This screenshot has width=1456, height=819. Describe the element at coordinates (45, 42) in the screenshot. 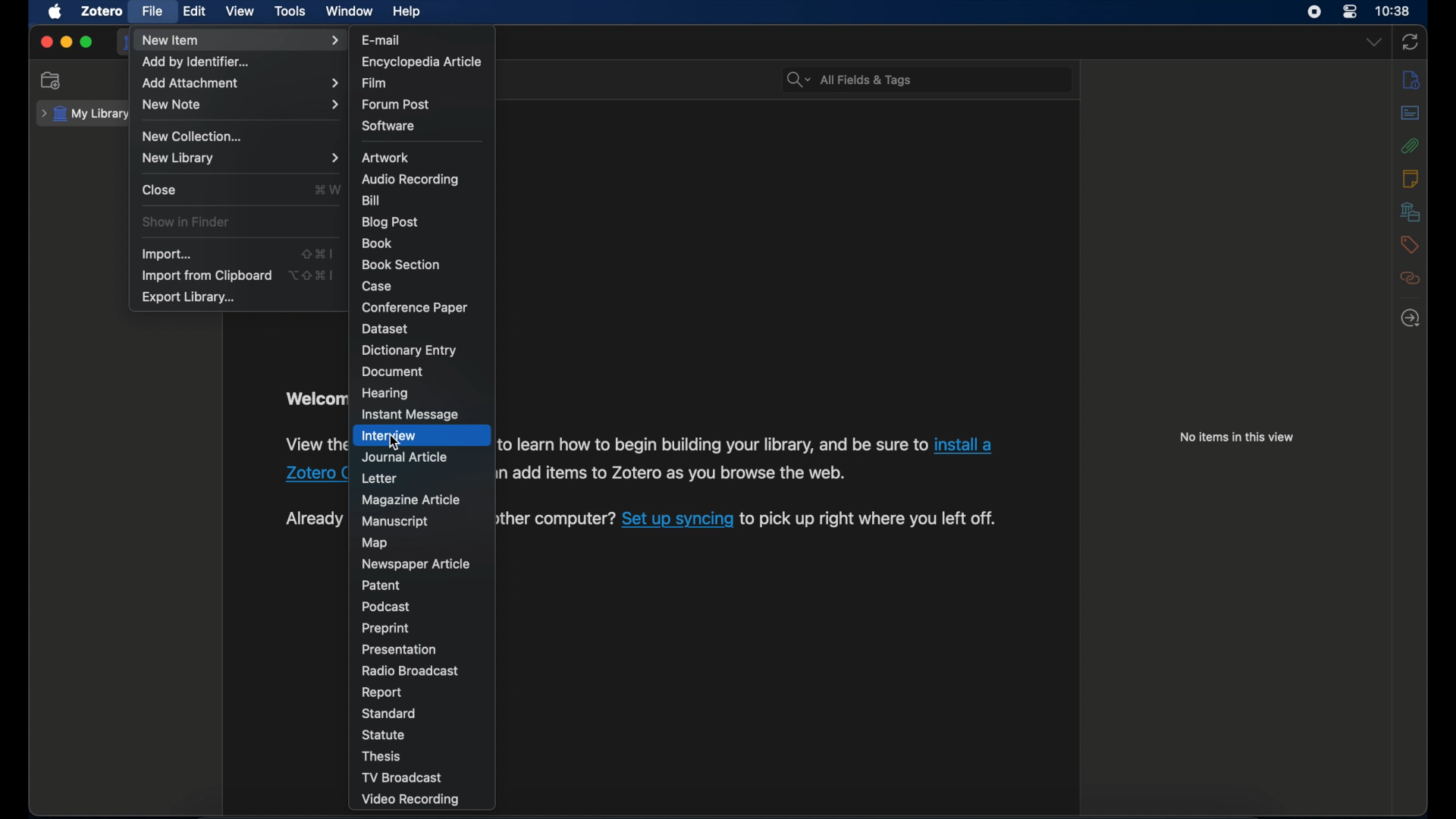

I see `close` at that location.